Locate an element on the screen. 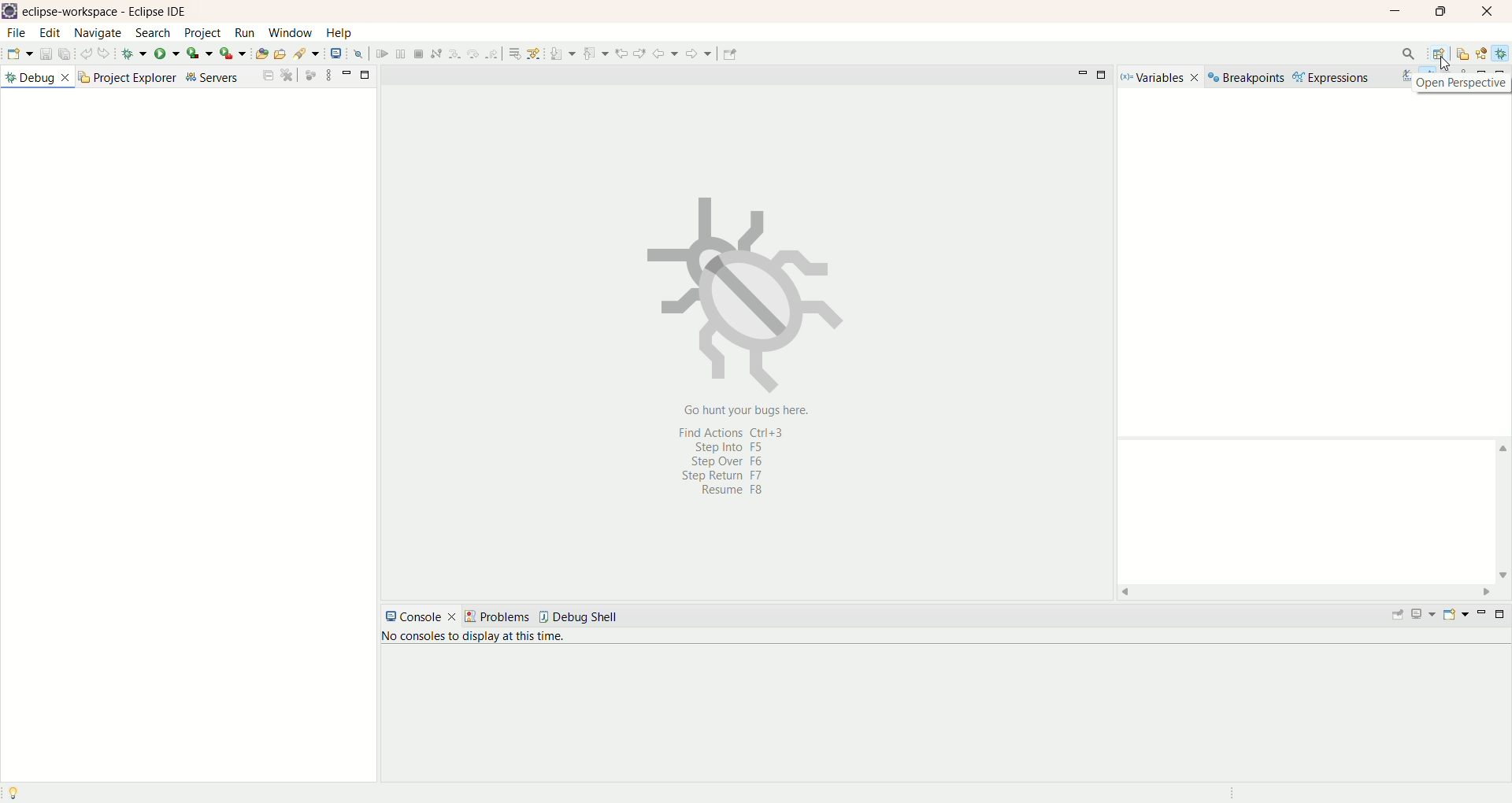 This screenshot has height=803, width=1512. open task is located at coordinates (350, 53).